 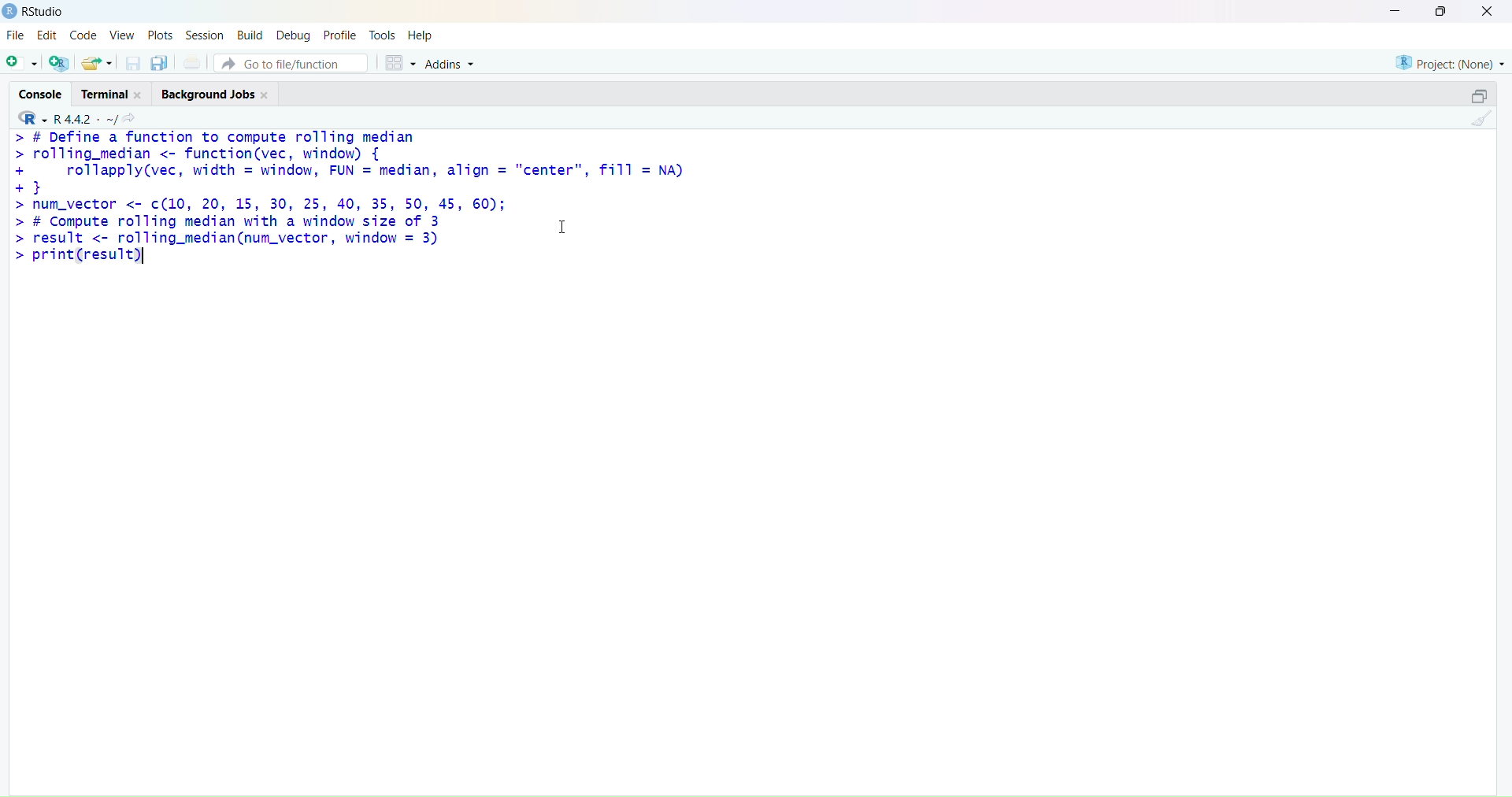 What do you see at coordinates (292, 37) in the screenshot?
I see `debug` at bounding box center [292, 37].